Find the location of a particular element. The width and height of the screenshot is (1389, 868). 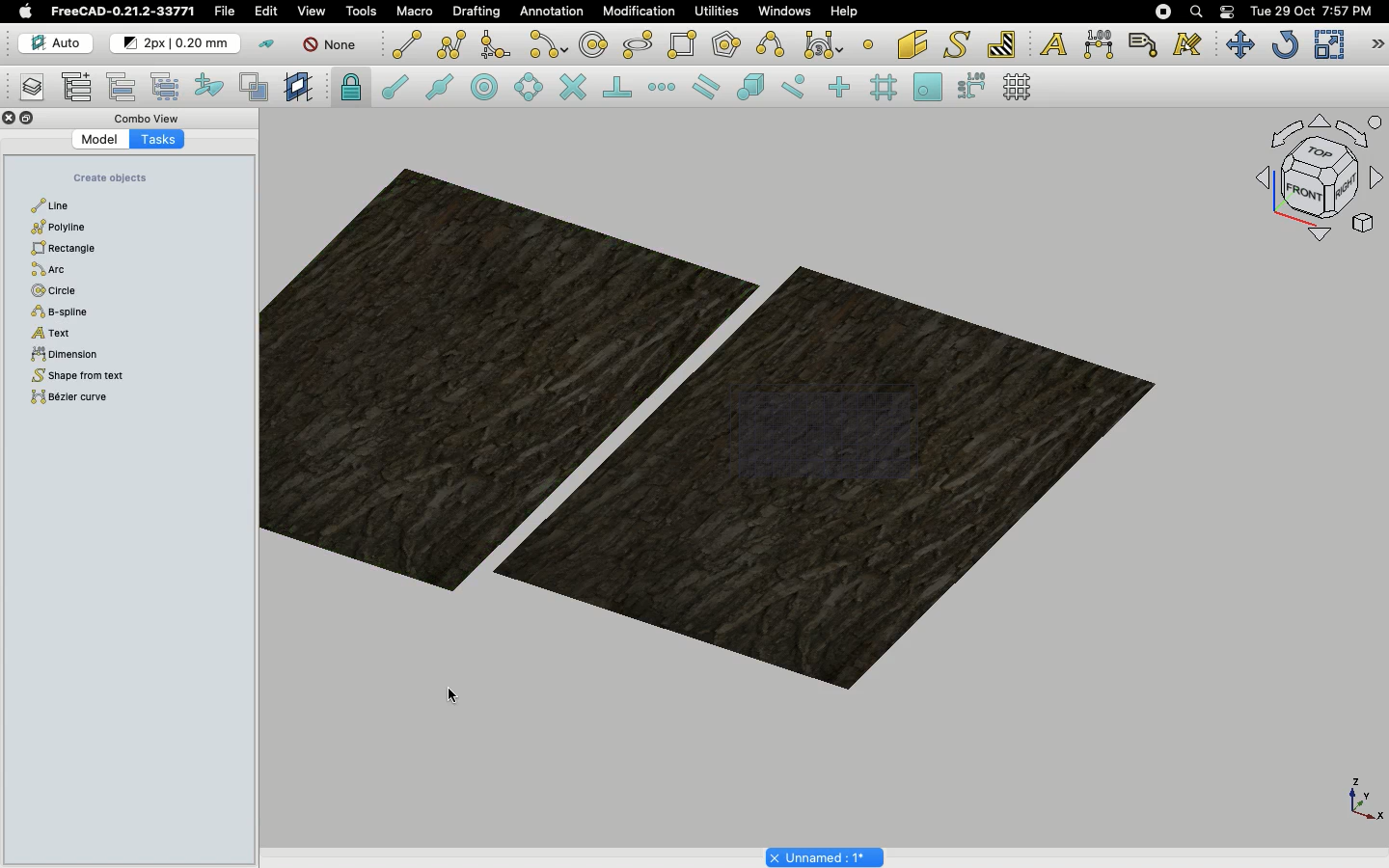

Snap dimensions is located at coordinates (972, 87).